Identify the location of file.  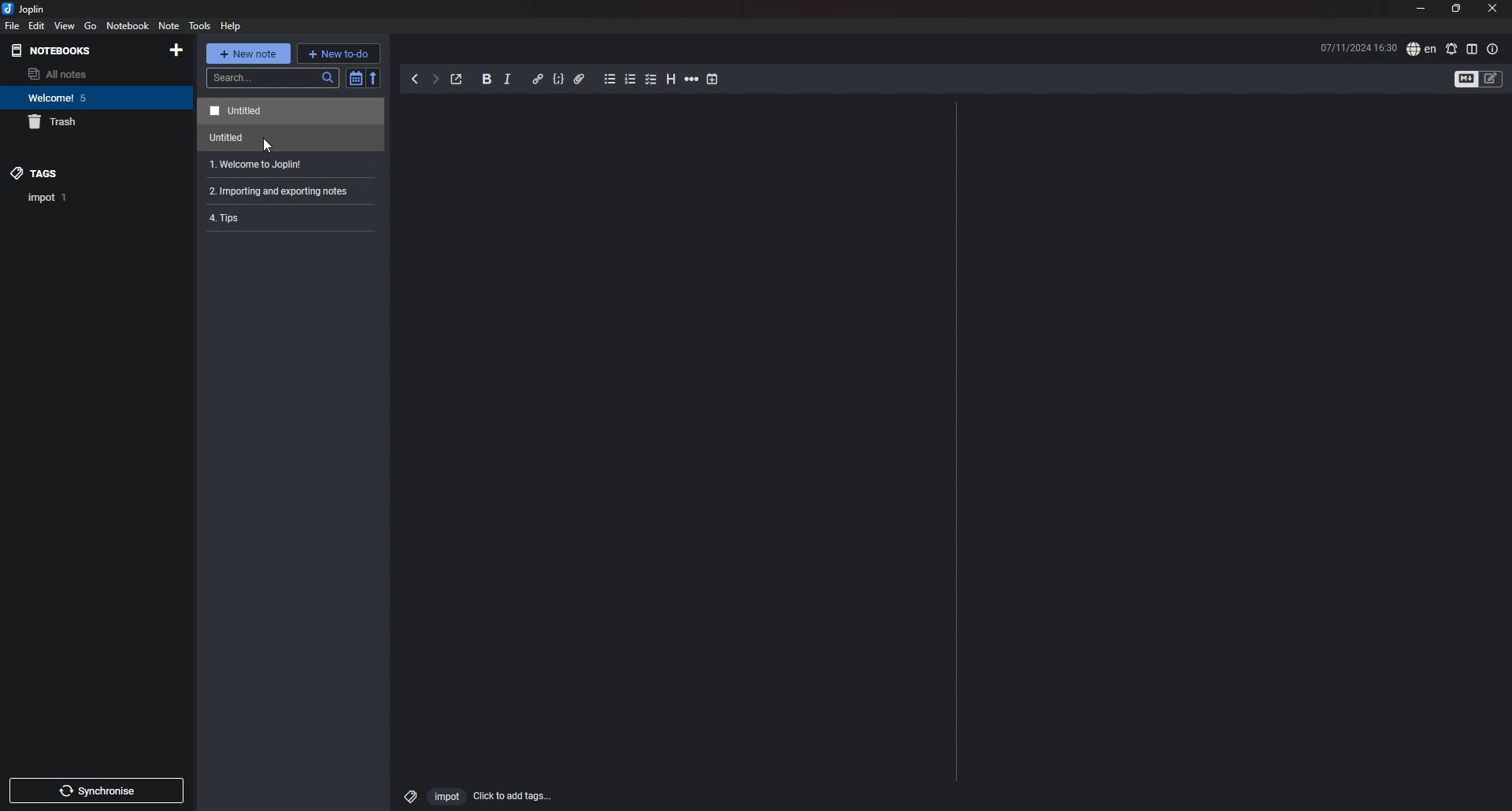
(13, 26).